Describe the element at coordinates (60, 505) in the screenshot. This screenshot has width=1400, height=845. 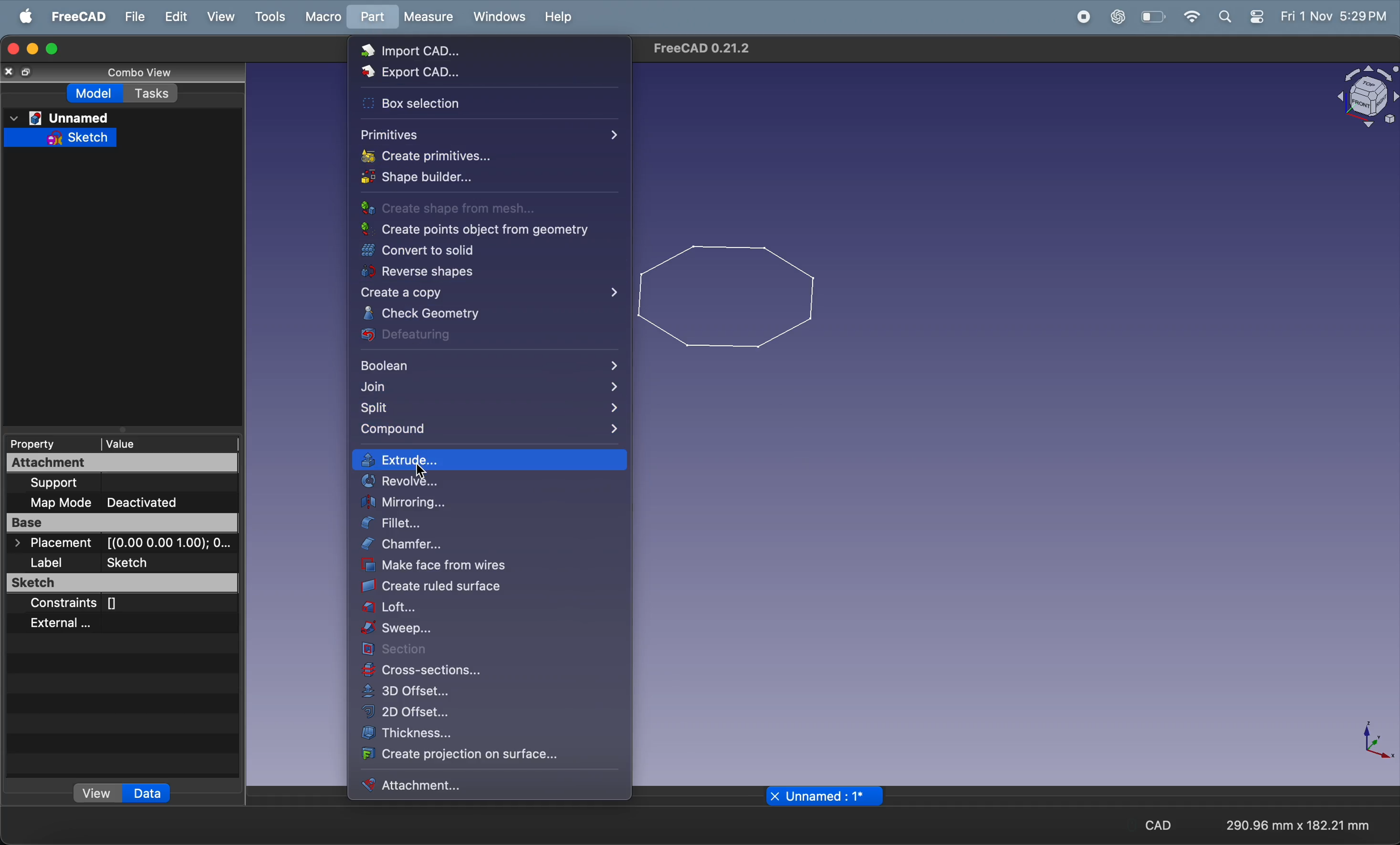
I see `map mode` at that location.